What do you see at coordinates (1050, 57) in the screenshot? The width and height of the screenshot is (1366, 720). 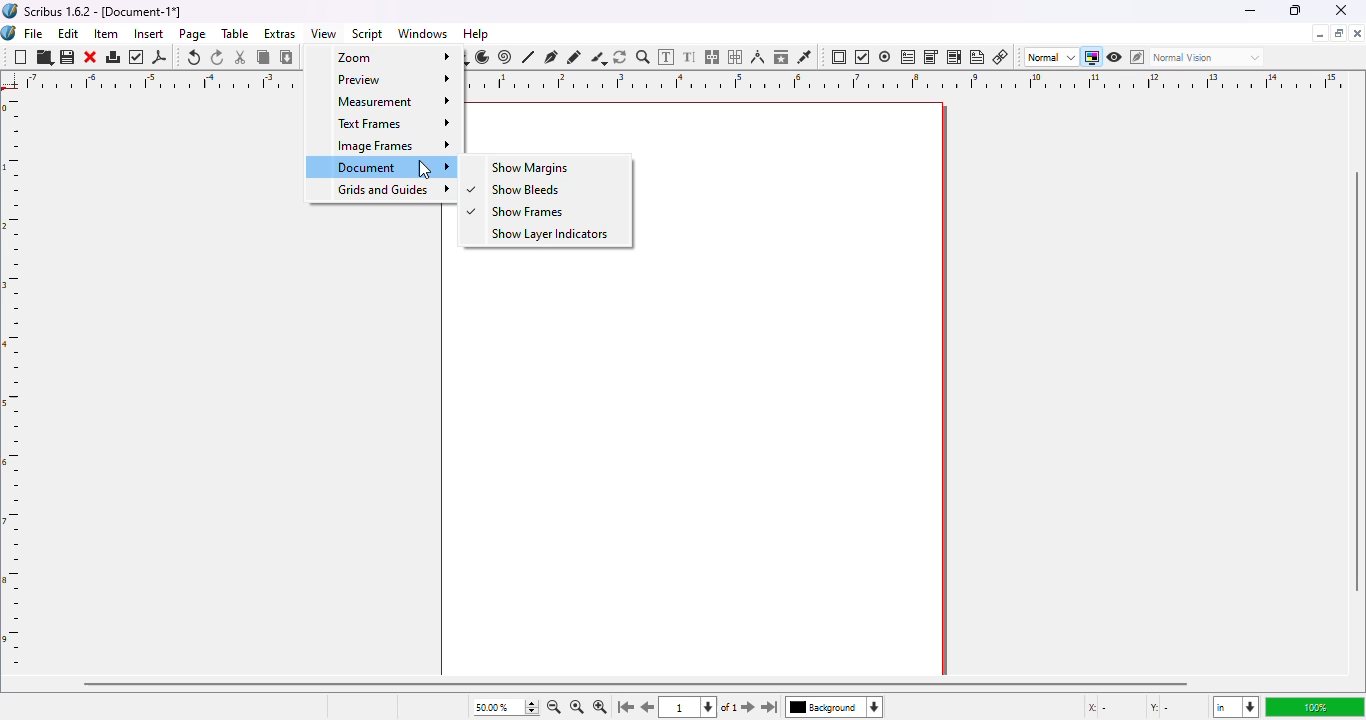 I see `normal` at bounding box center [1050, 57].